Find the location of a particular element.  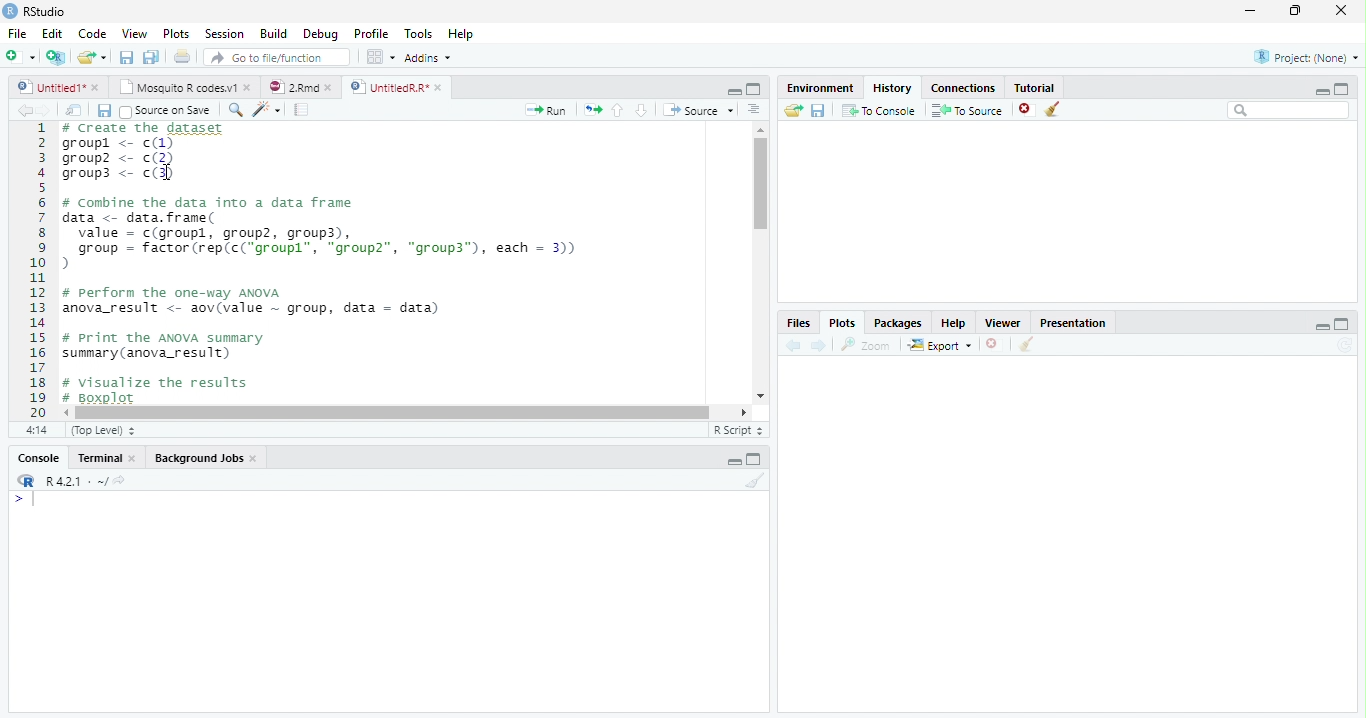

Create a Project is located at coordinates (56, 57).